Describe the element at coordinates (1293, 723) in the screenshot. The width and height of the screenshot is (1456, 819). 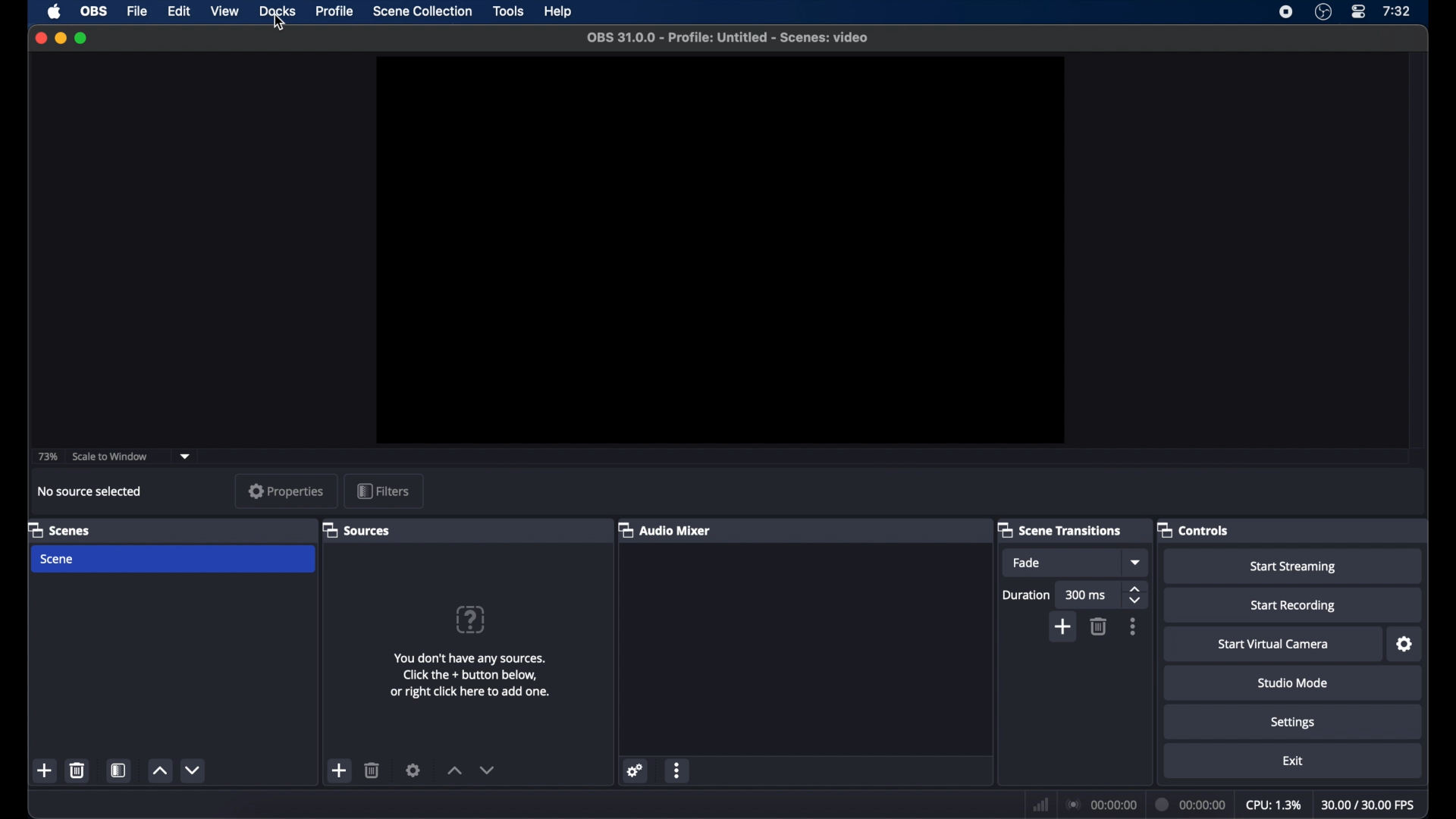
I see `settings` at that location.